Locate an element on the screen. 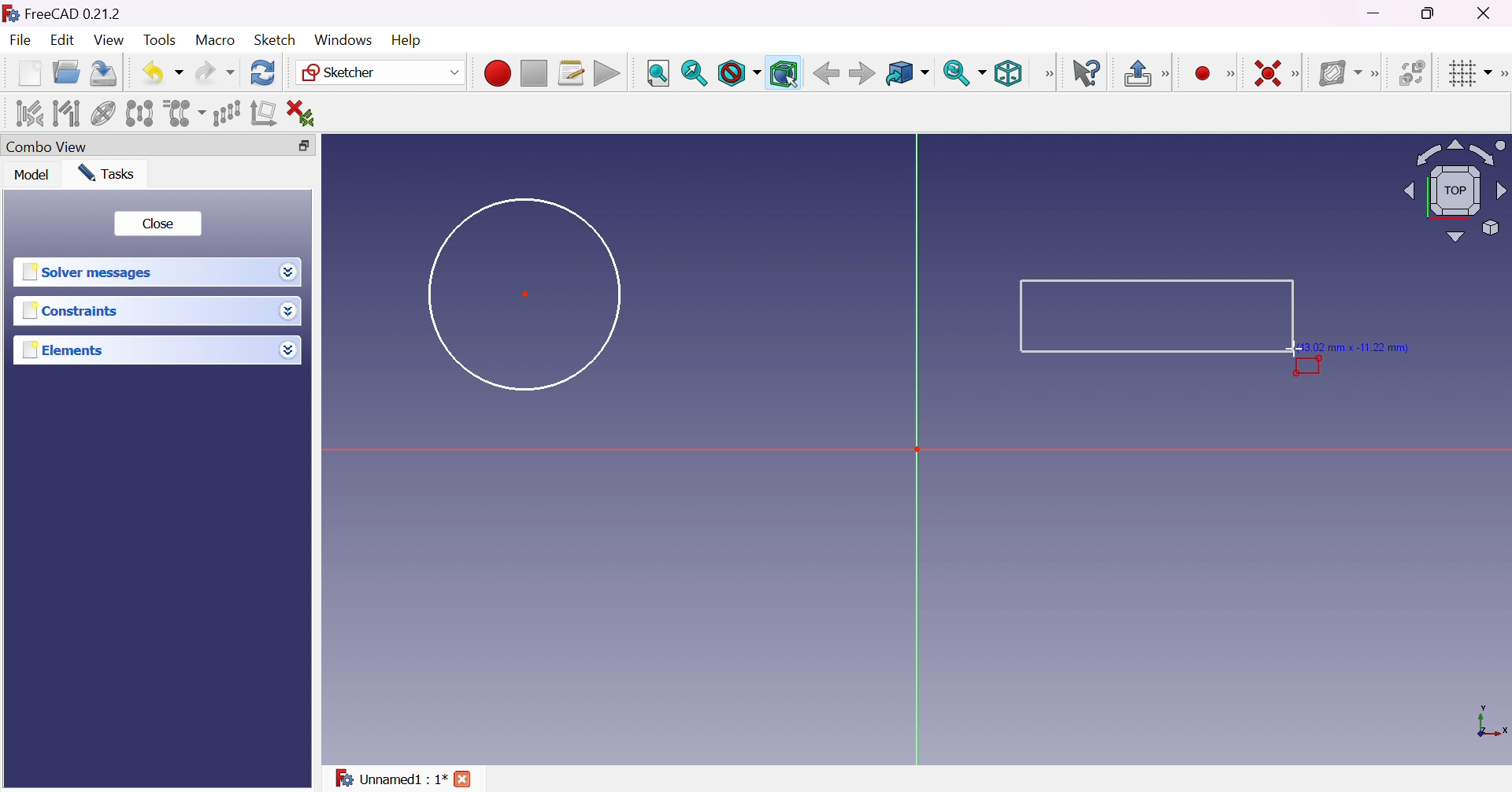 The width and height of the screenshot is (1512, 792). [Sketcher B-spline tools]] is located at coordinates (1379, 74).